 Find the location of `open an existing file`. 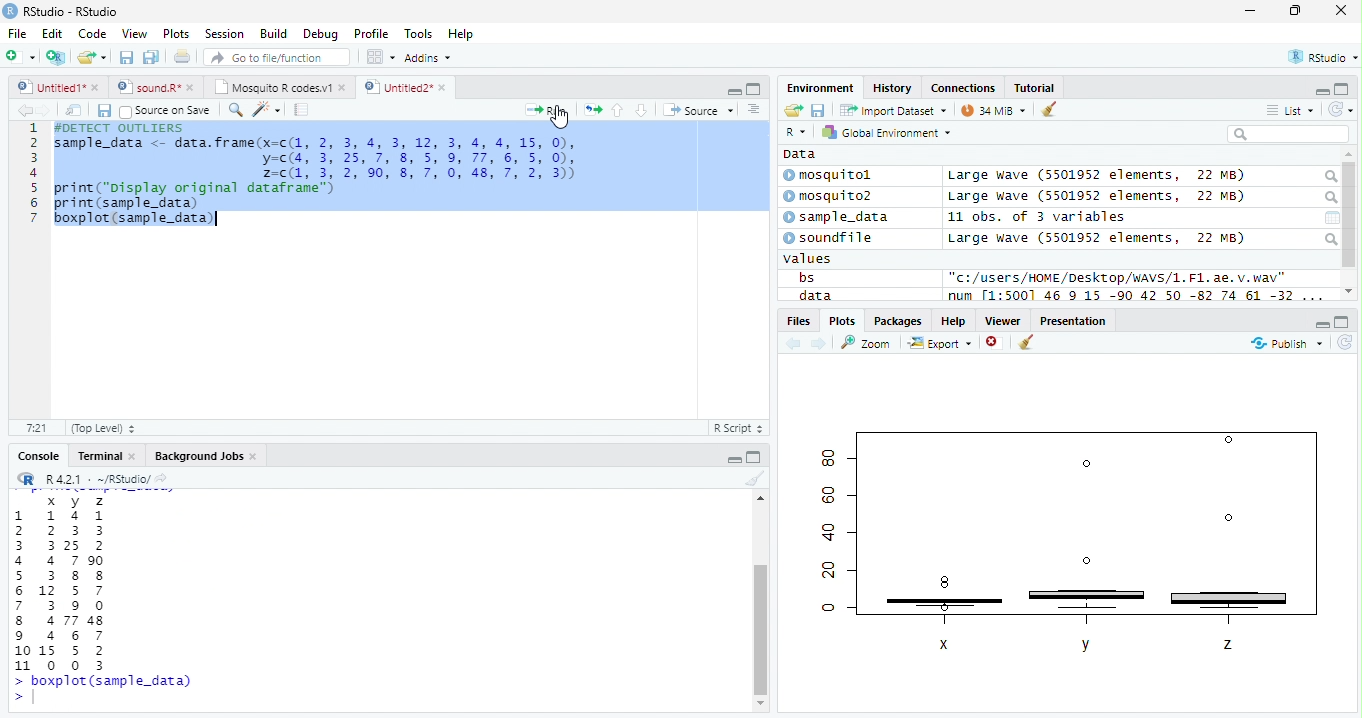

open an existing file is located at coordinates (92, 57).